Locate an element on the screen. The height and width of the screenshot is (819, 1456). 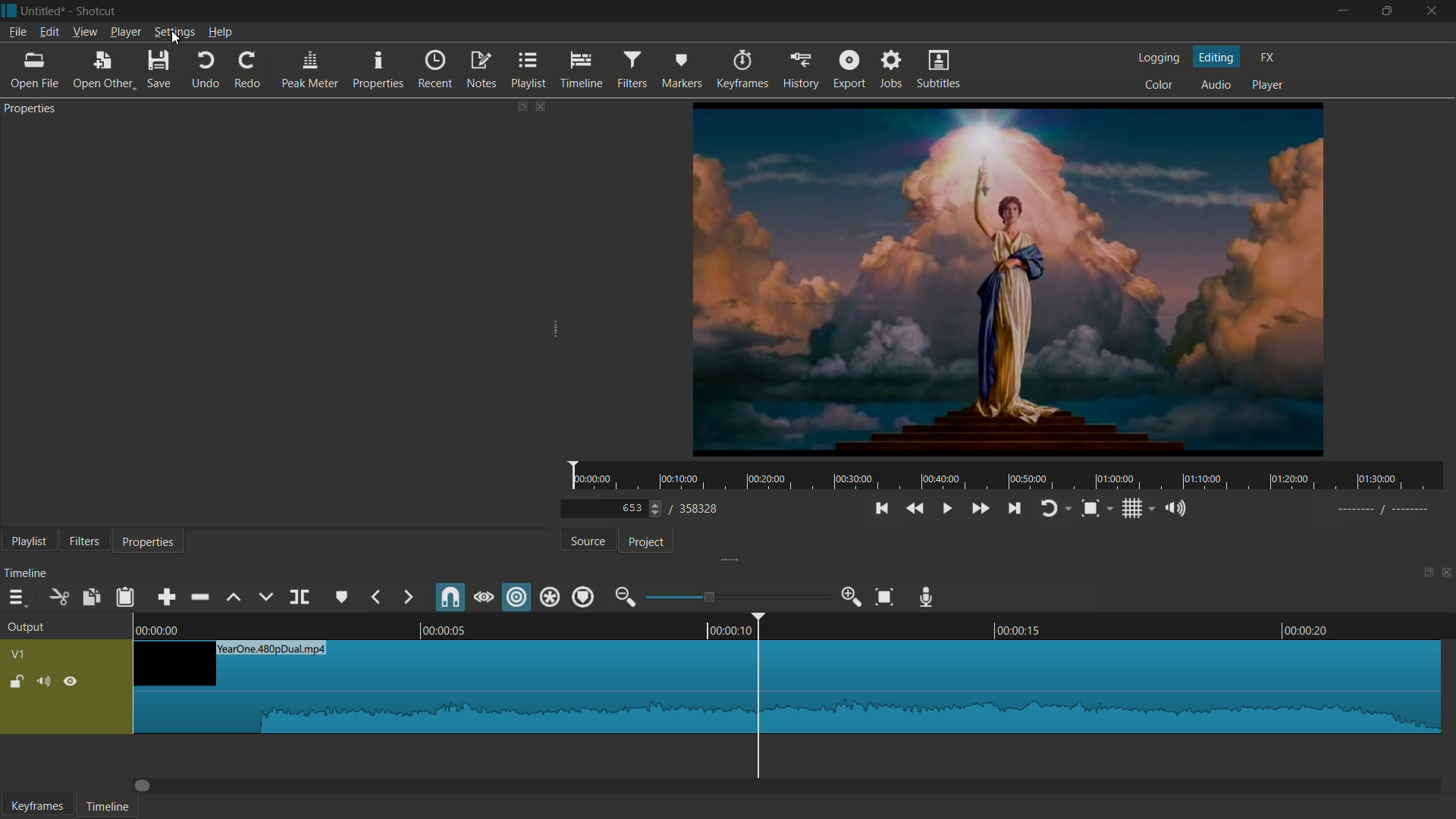
change layout is located at coordinates (522, 107).